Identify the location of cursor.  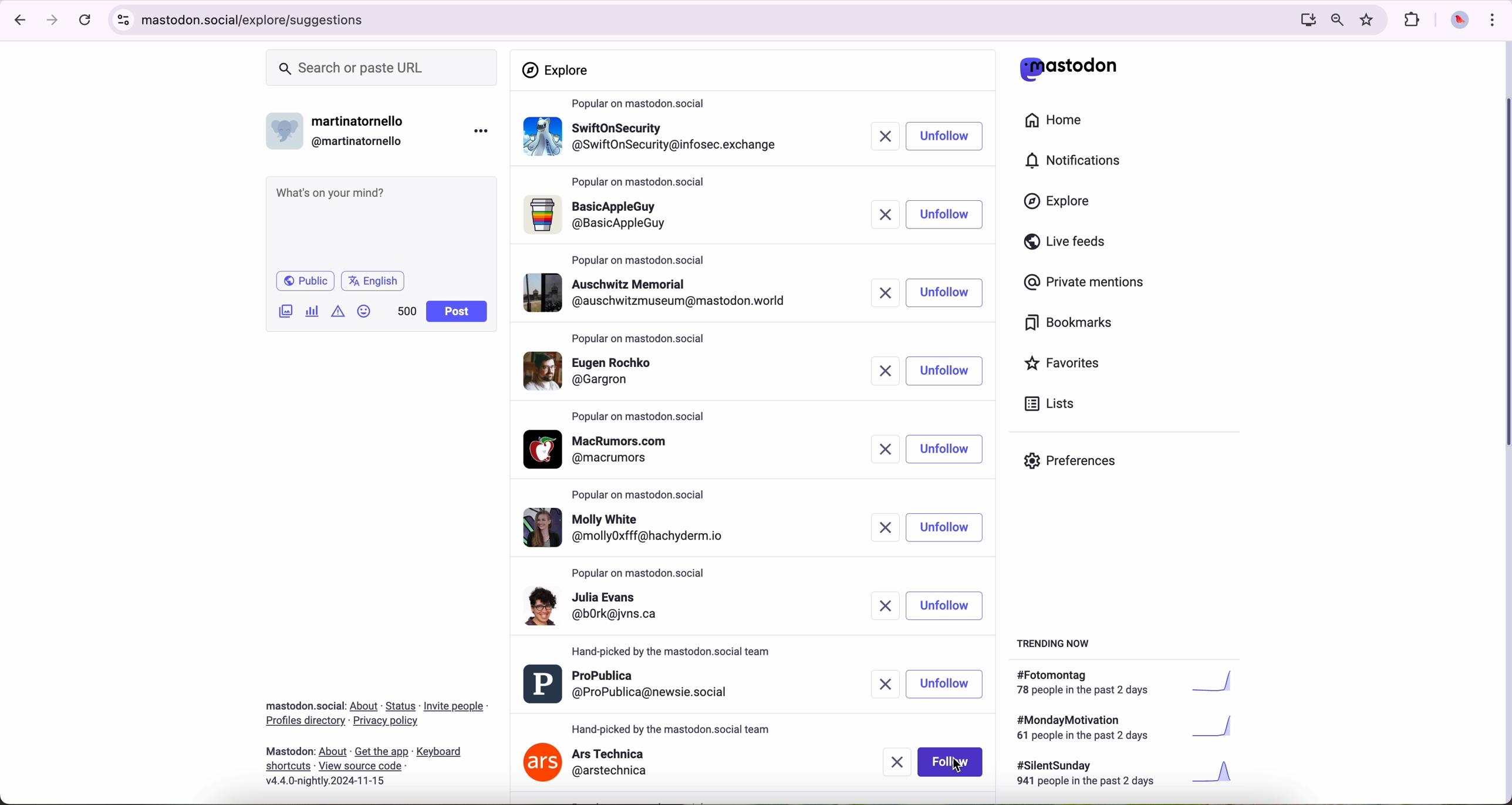
(956, 766).